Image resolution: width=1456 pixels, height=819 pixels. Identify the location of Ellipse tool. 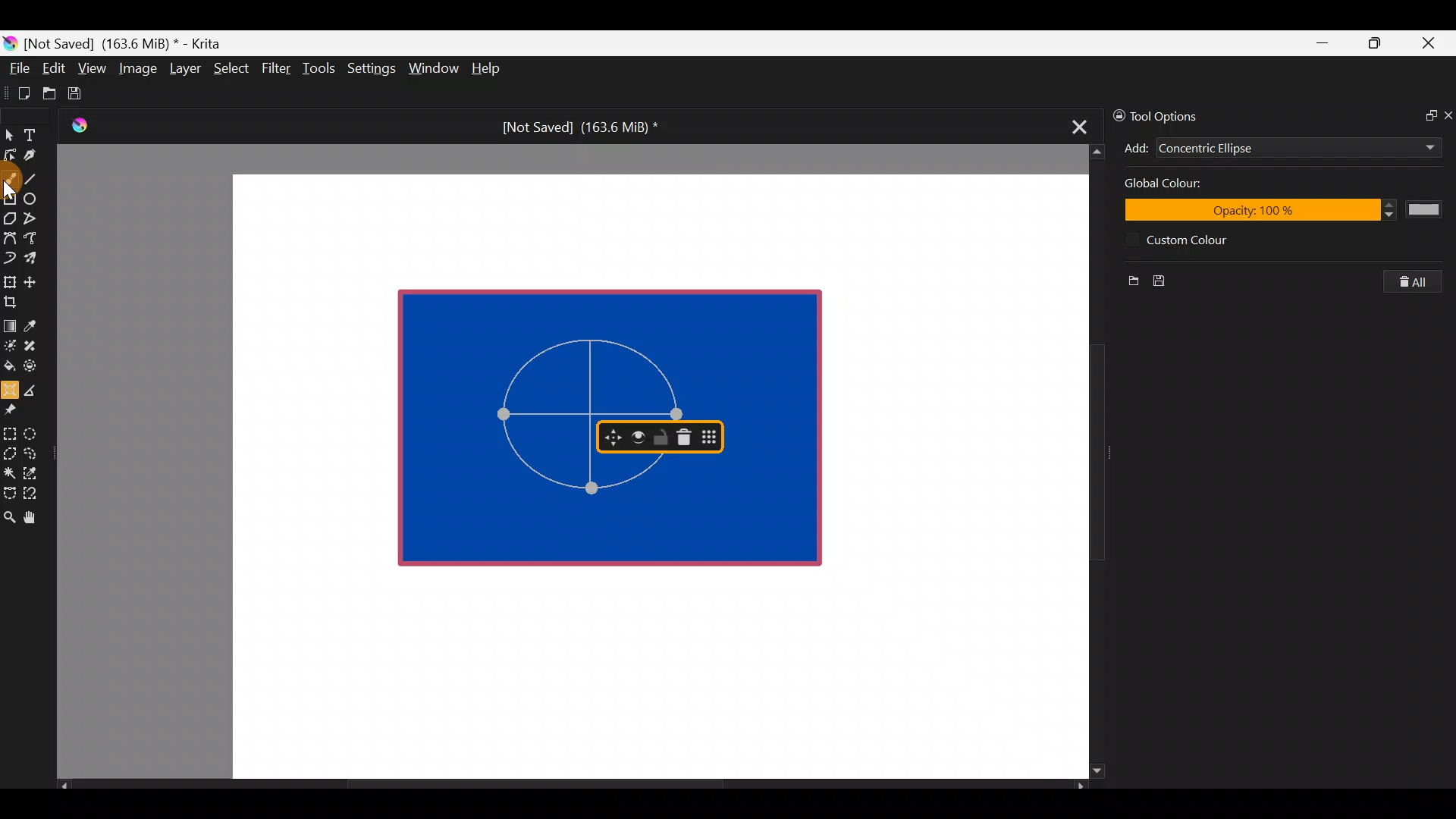
(37, 197).